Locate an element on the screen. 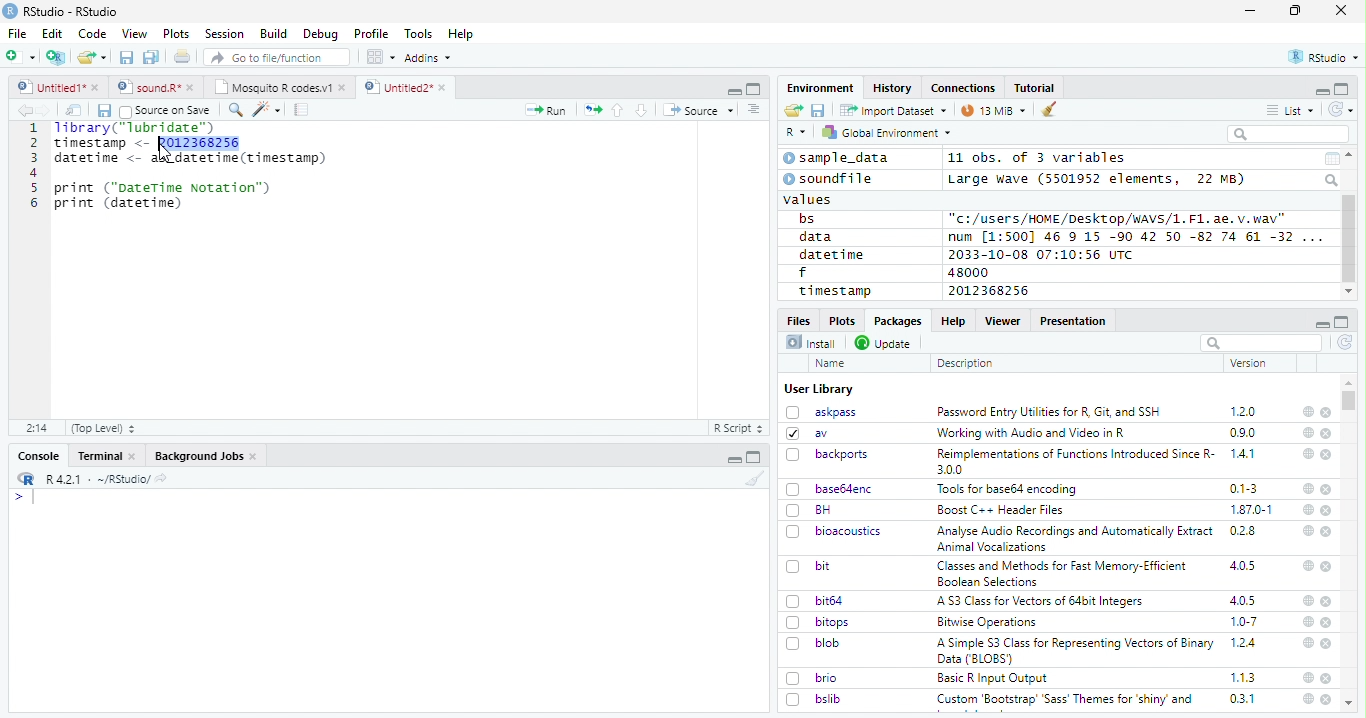 The width and height of the screenshot is (1366, 718). R Script is located at coordinates (737, 429).